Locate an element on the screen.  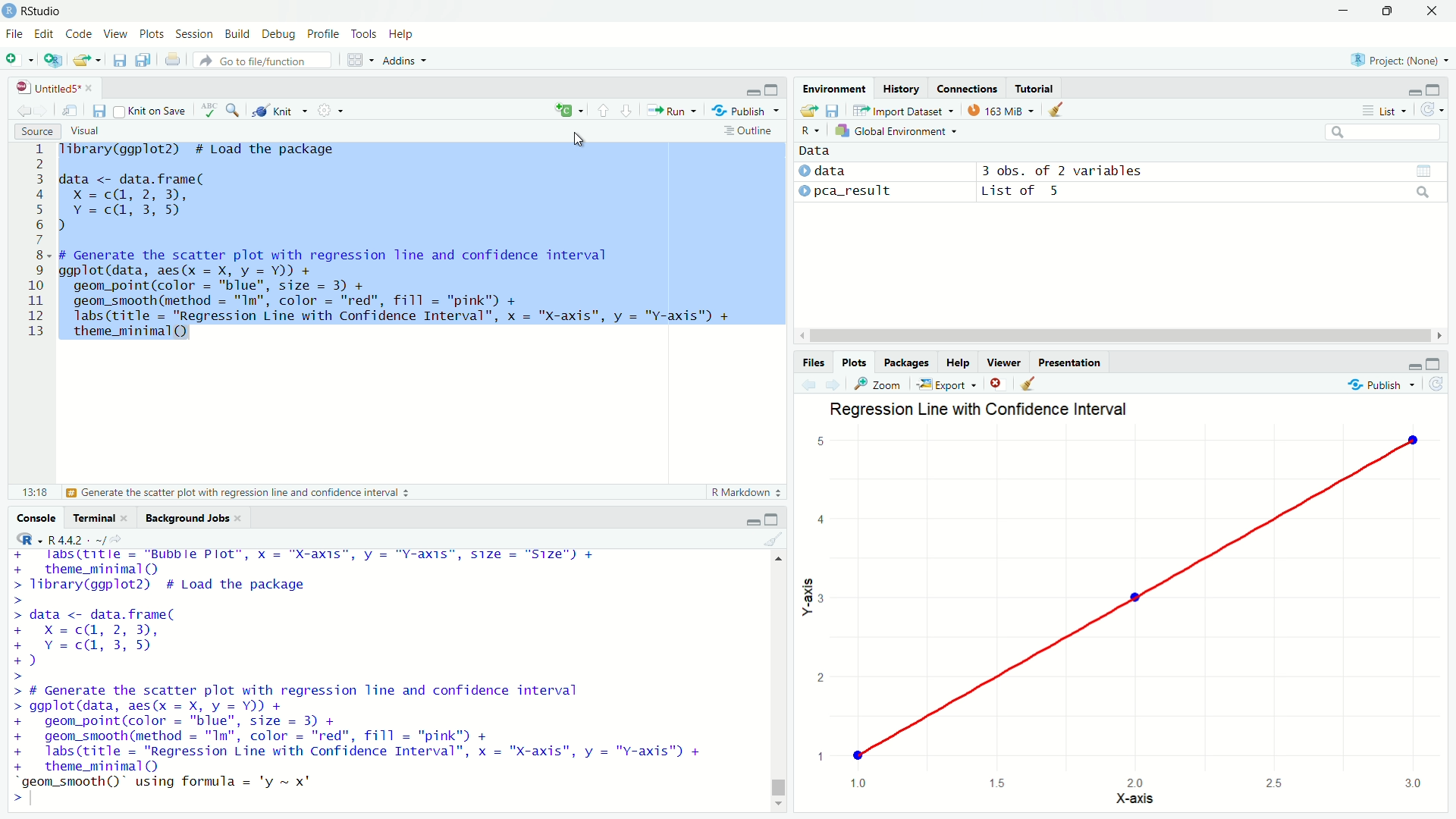
Debug is located at coordinates (278, 34).